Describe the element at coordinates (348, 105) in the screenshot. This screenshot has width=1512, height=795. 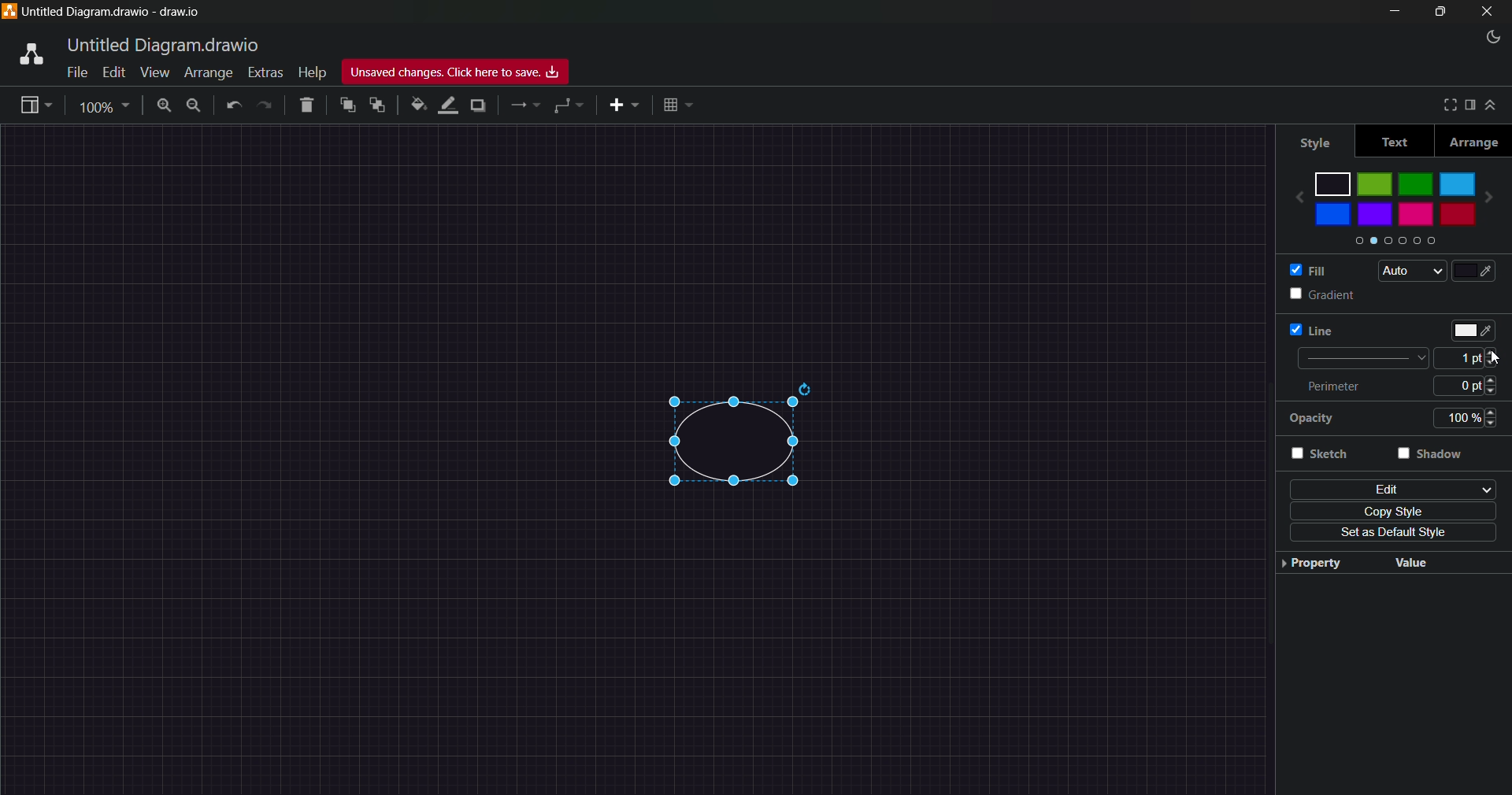
I see `to front` at that location.